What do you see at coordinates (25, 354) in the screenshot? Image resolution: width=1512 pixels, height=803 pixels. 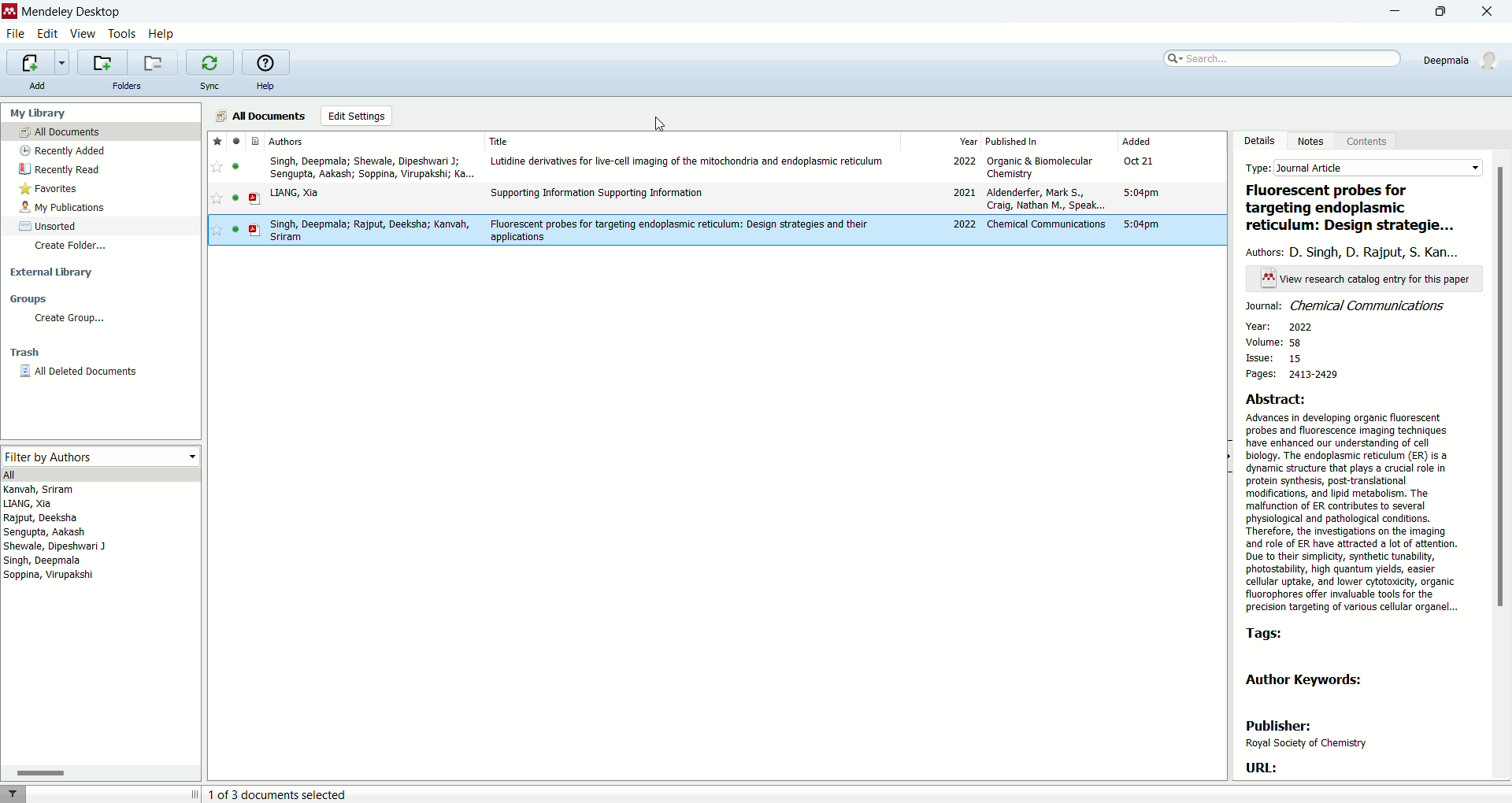 I see `trash` at bounding box center [25, 354].